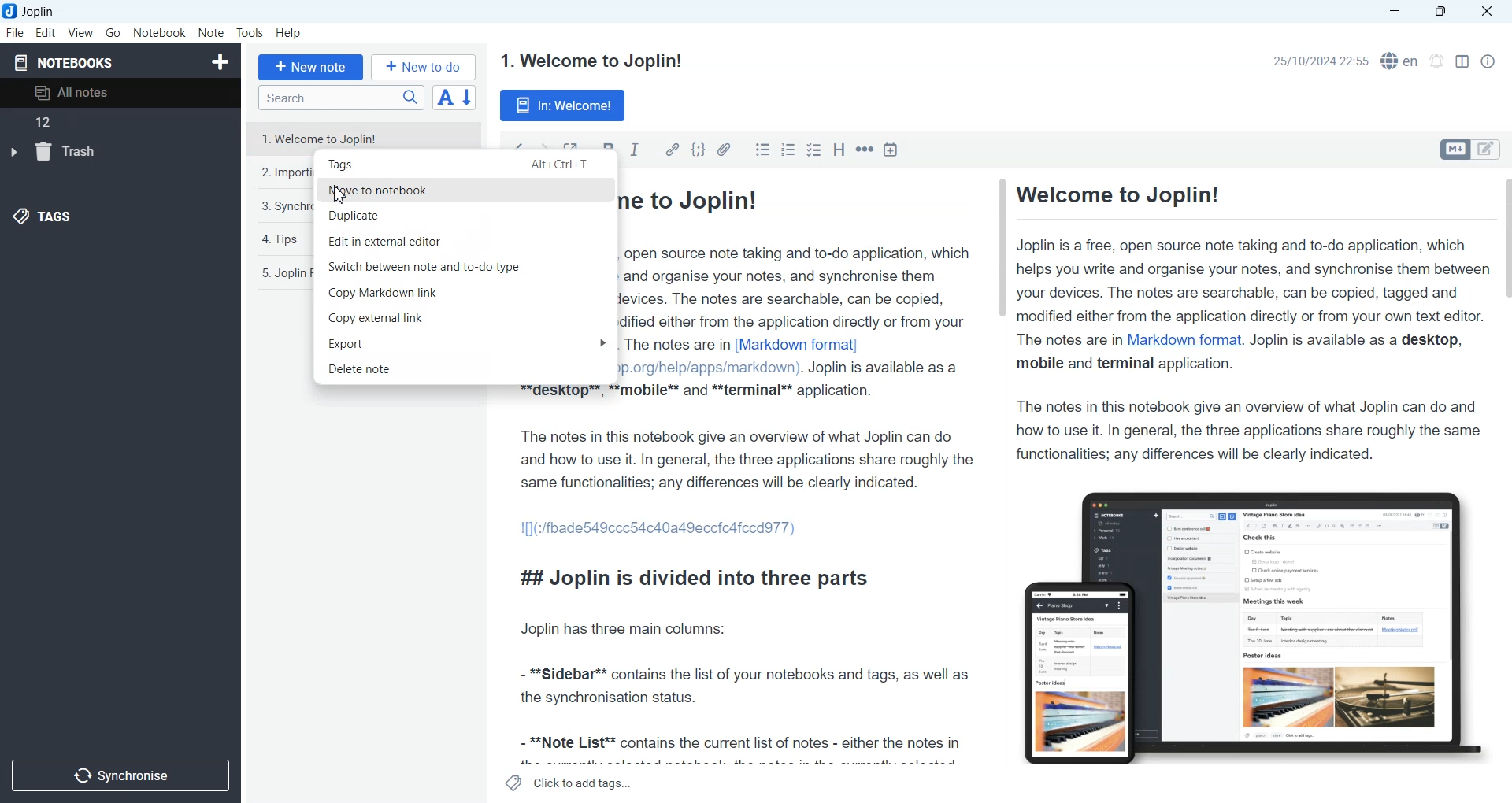  Describe the element at coordinates (762, 149) in the screenshot. I see `Bulleted list` at that location.